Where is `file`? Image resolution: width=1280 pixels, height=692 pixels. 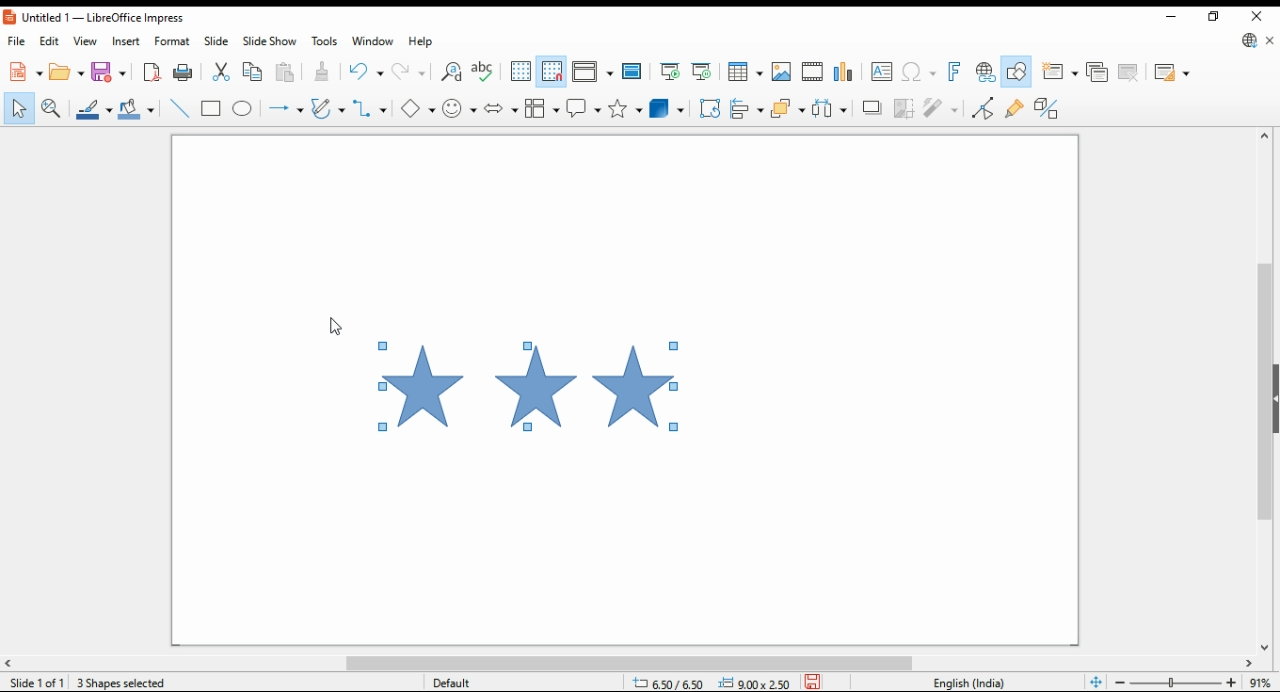
file is located at coordinates (17, 40).